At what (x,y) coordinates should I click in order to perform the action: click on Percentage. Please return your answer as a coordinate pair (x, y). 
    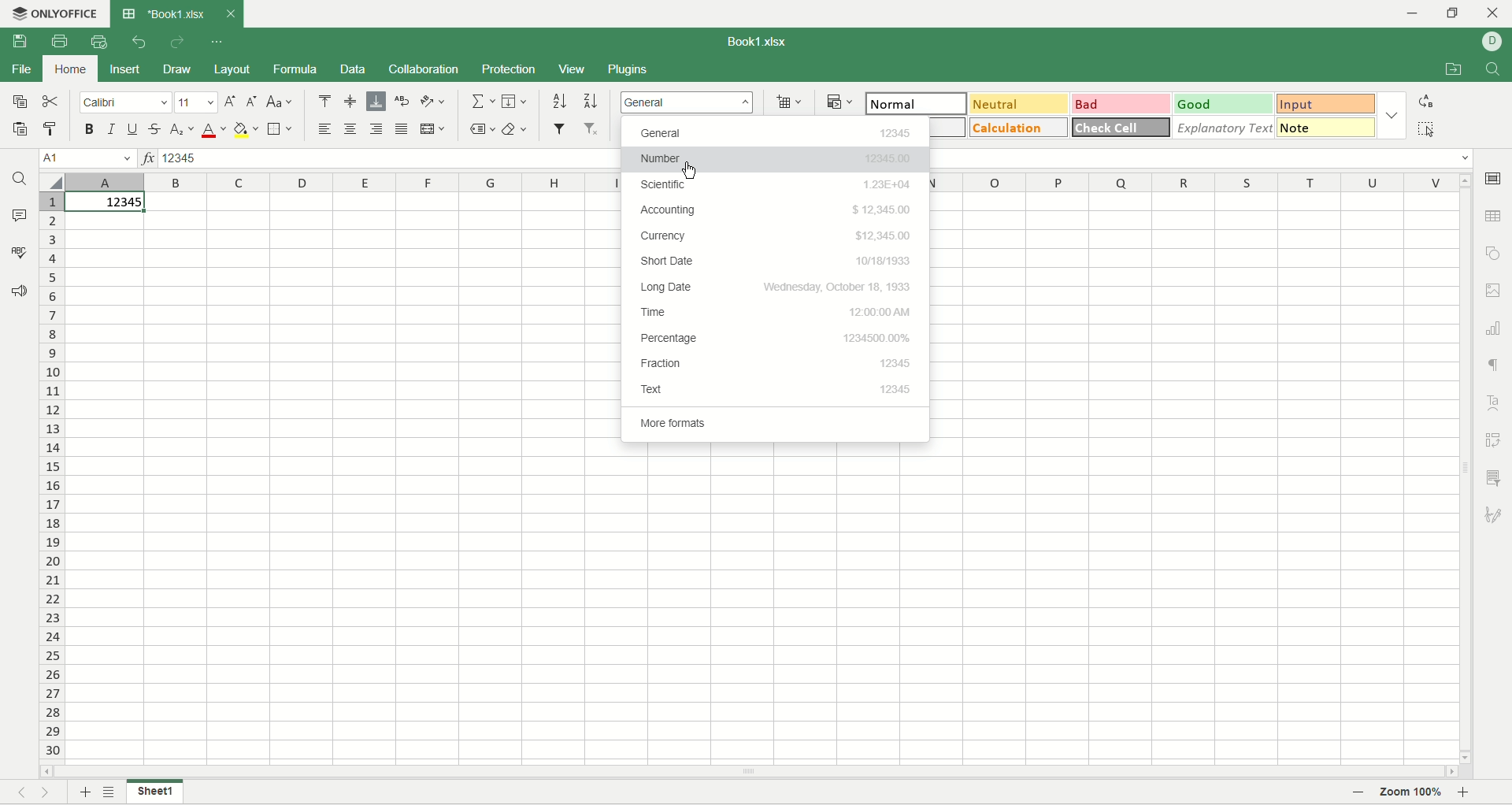
    Looking at the image, I should click on (774, 339).